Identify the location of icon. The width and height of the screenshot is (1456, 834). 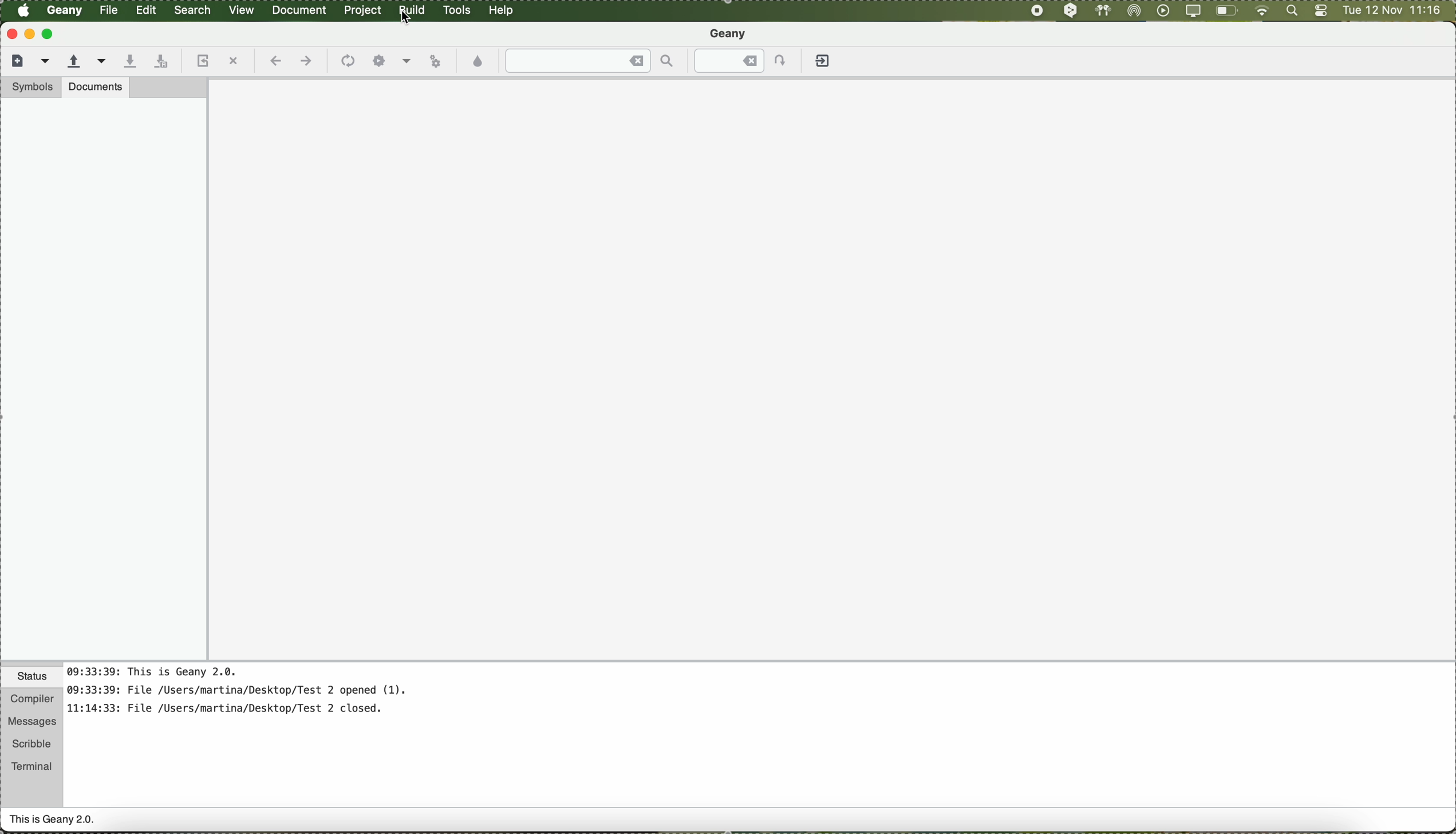
(379, 61).